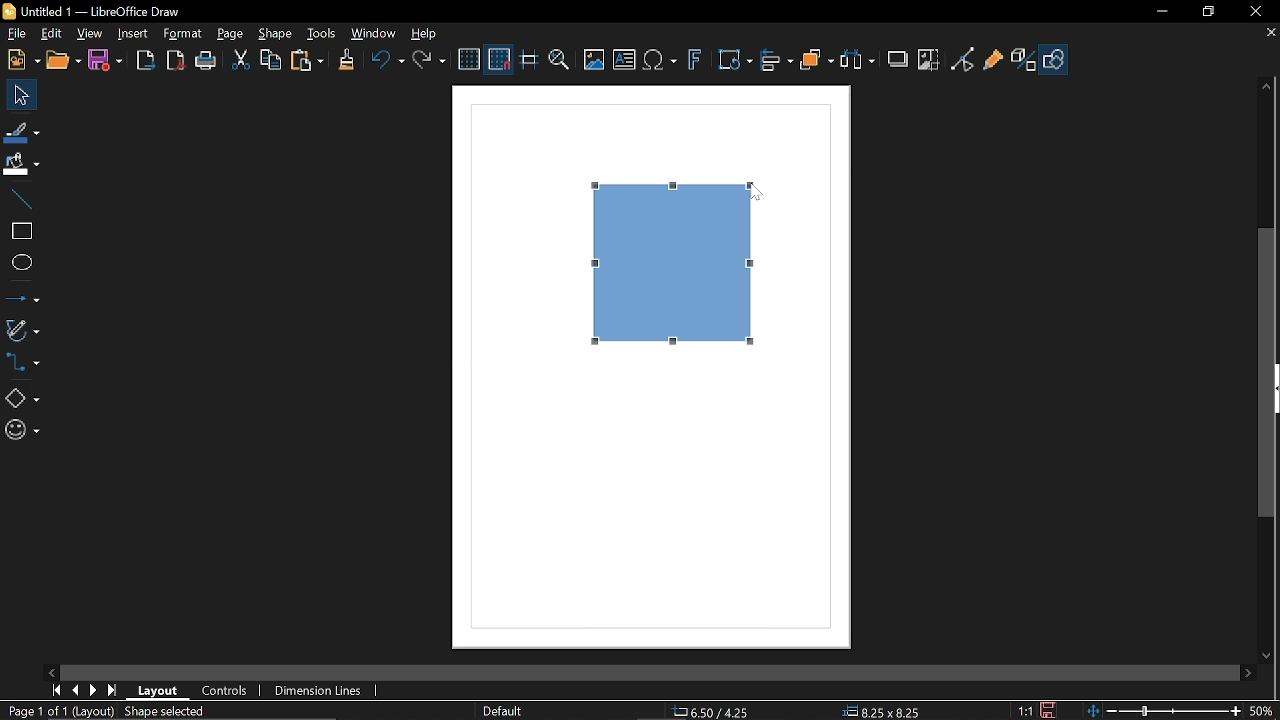 The height and width of the screenshot is (720, 1280). Describe the element at coordinates (76, 690) in the screenshot. I see `previous page` at that location.